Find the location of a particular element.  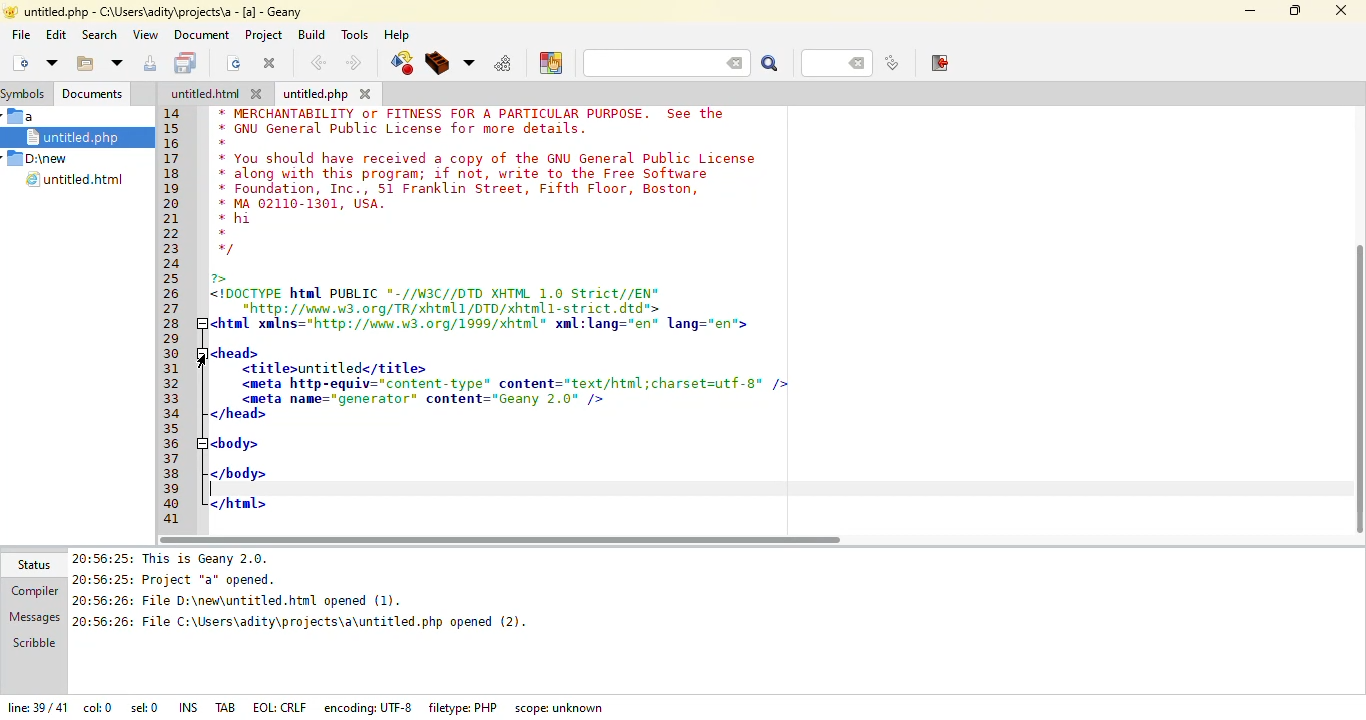

project is located at coordinates (264, 35).